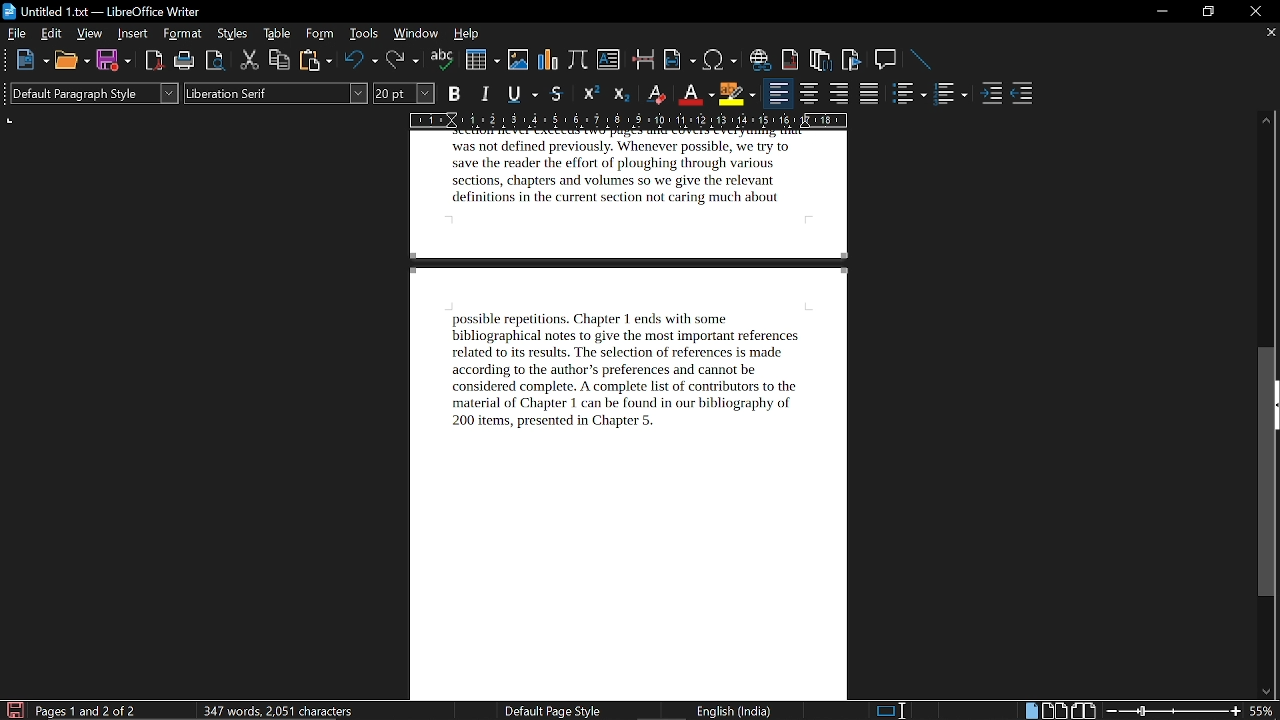 This screenshot has height=720, width=1280. I want to click on redo, so click(402, 62).